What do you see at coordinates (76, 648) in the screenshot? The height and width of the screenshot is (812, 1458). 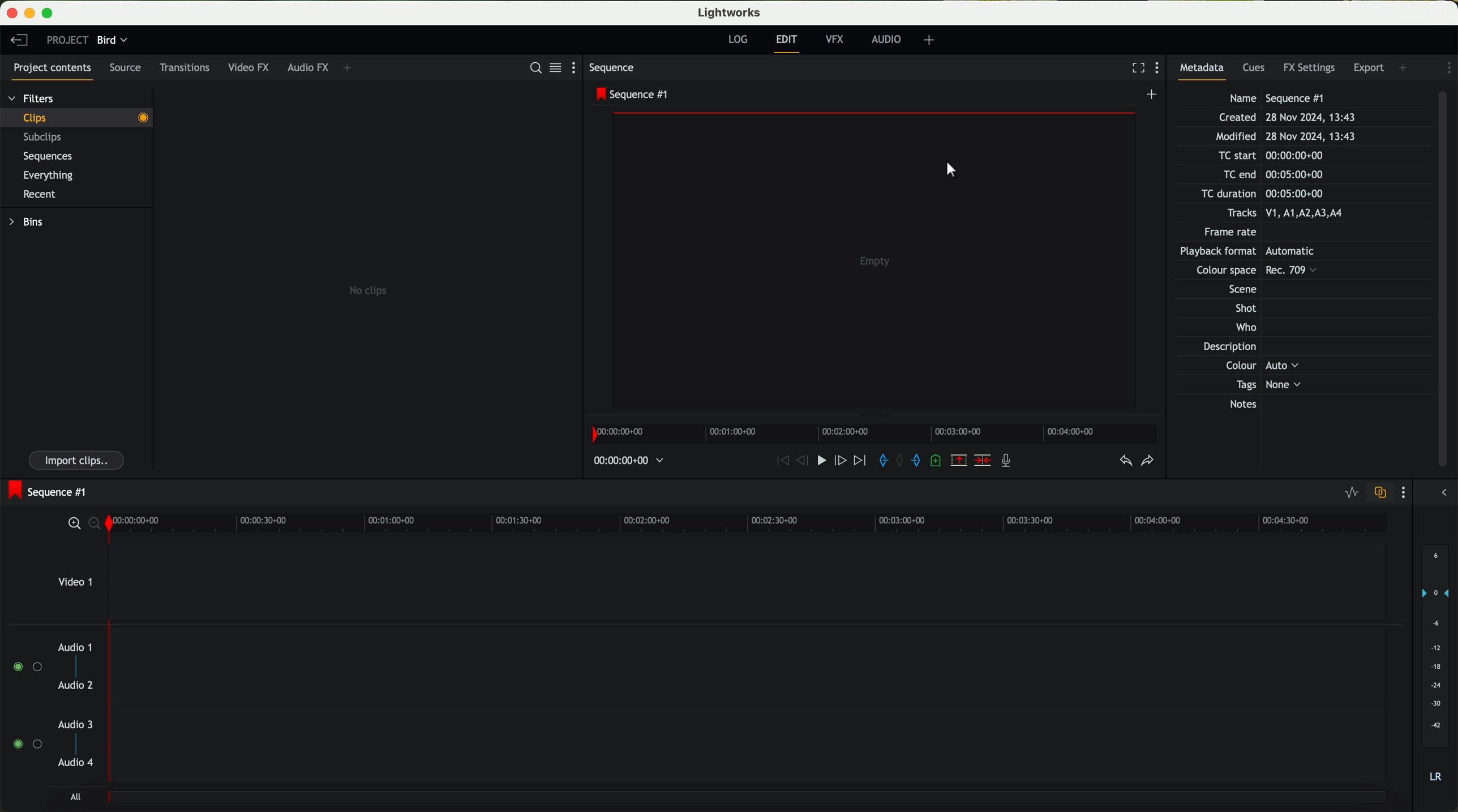 I see `audio 1` at bounding box center [76, 648].